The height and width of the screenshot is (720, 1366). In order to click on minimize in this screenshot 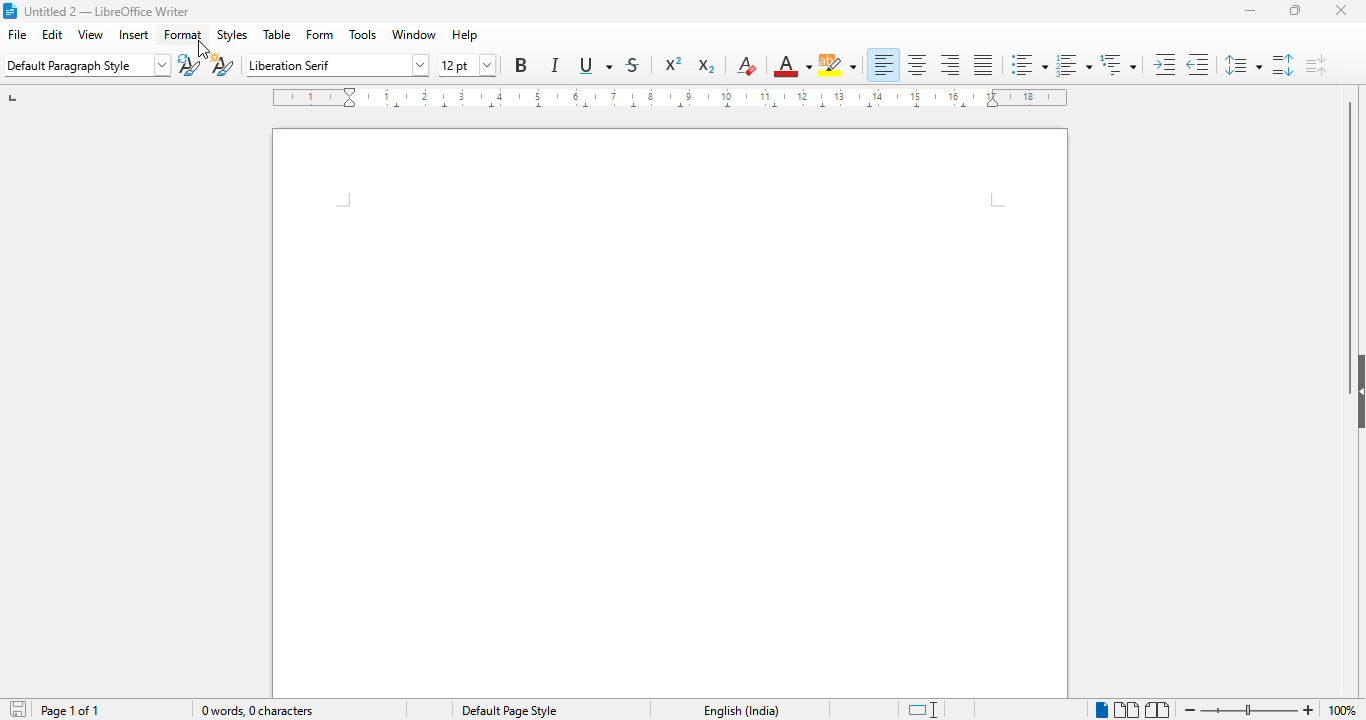, I will do `click(1251, 11)`.